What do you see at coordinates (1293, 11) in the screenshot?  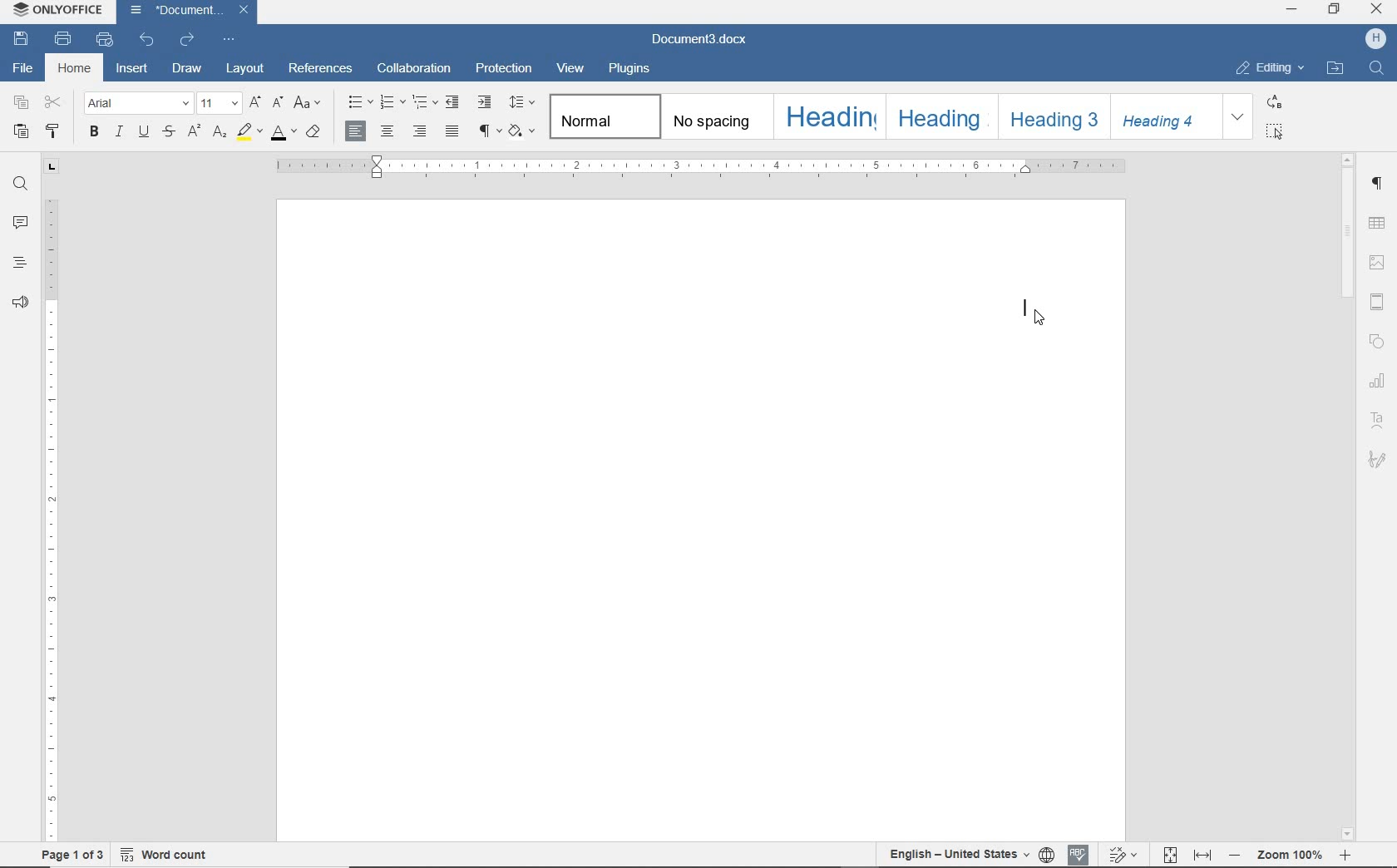 I see `MINIMIZE` at bounding box center [1293, 11].